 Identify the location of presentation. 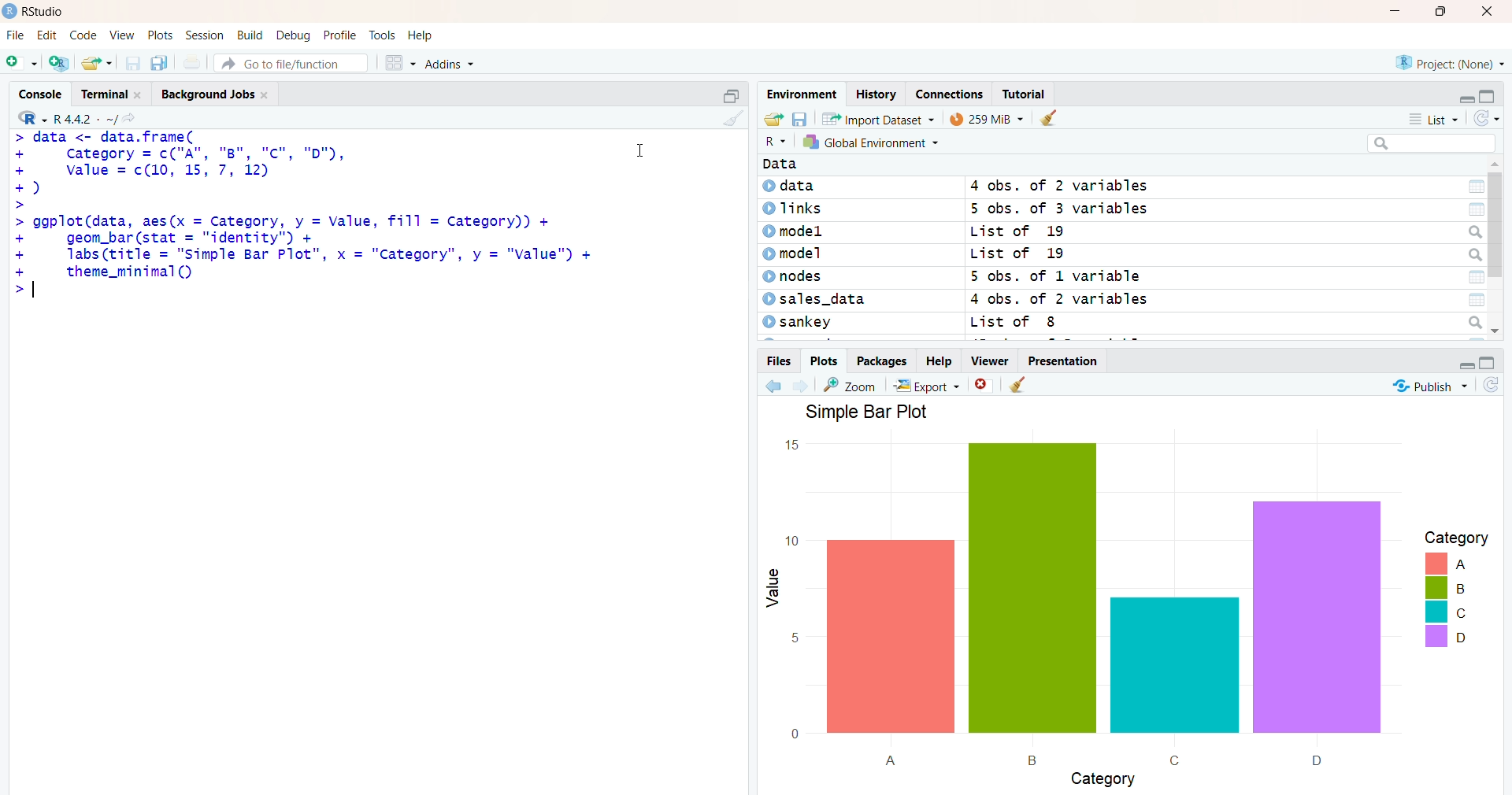
(1064, 361).